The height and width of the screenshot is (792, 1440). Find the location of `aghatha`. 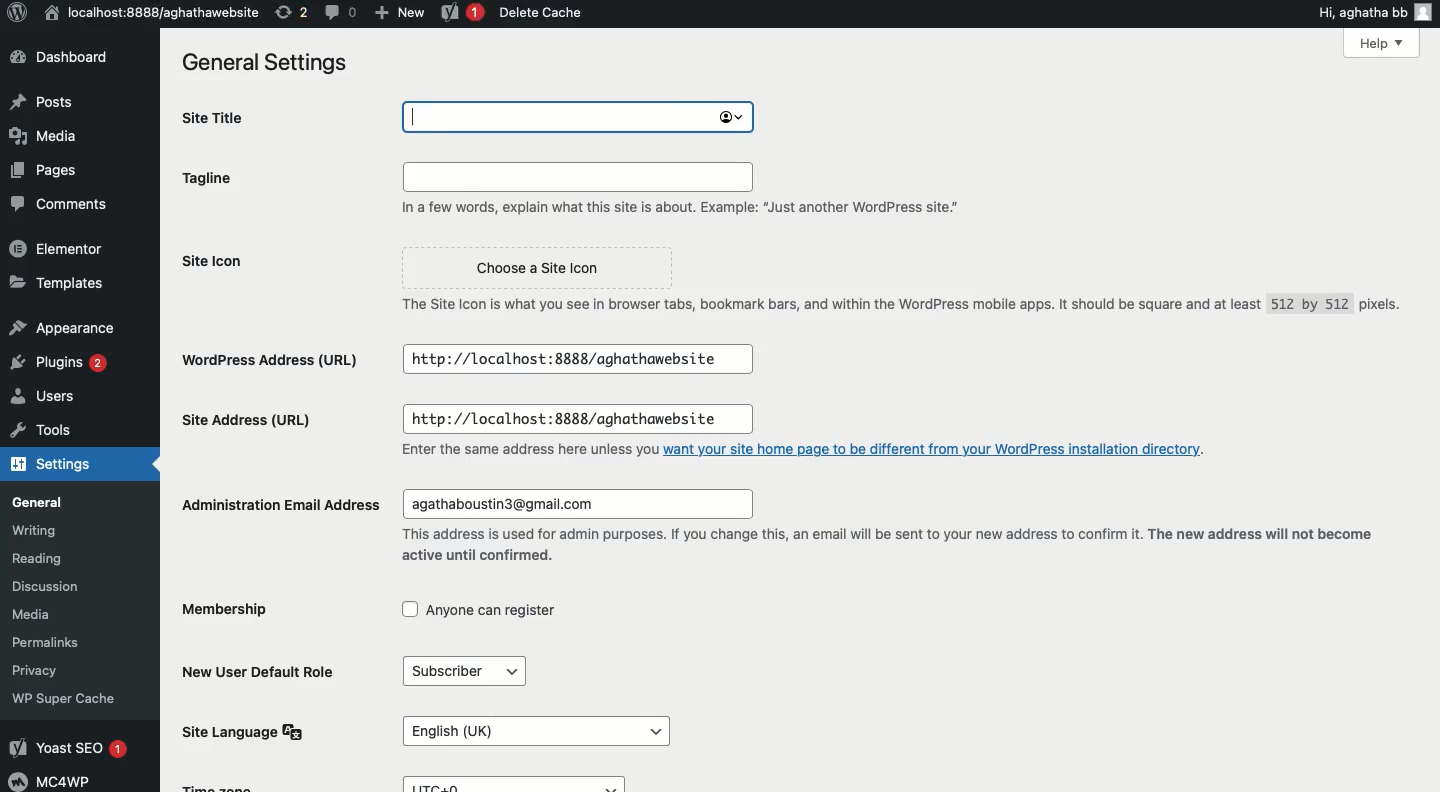

aghatha is located at coordinates (572, 118).